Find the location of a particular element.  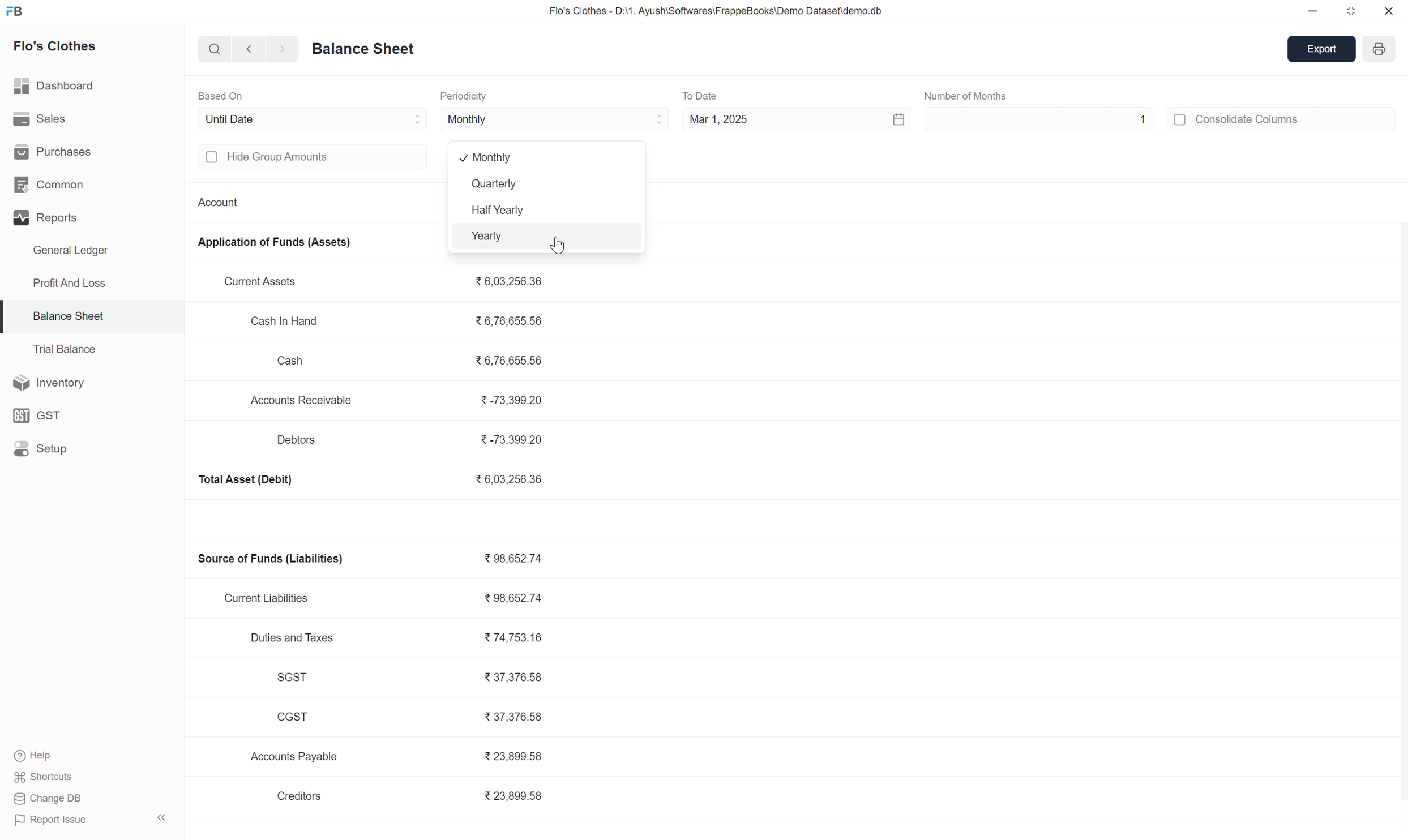

GST is located at coordinates (41, 413).